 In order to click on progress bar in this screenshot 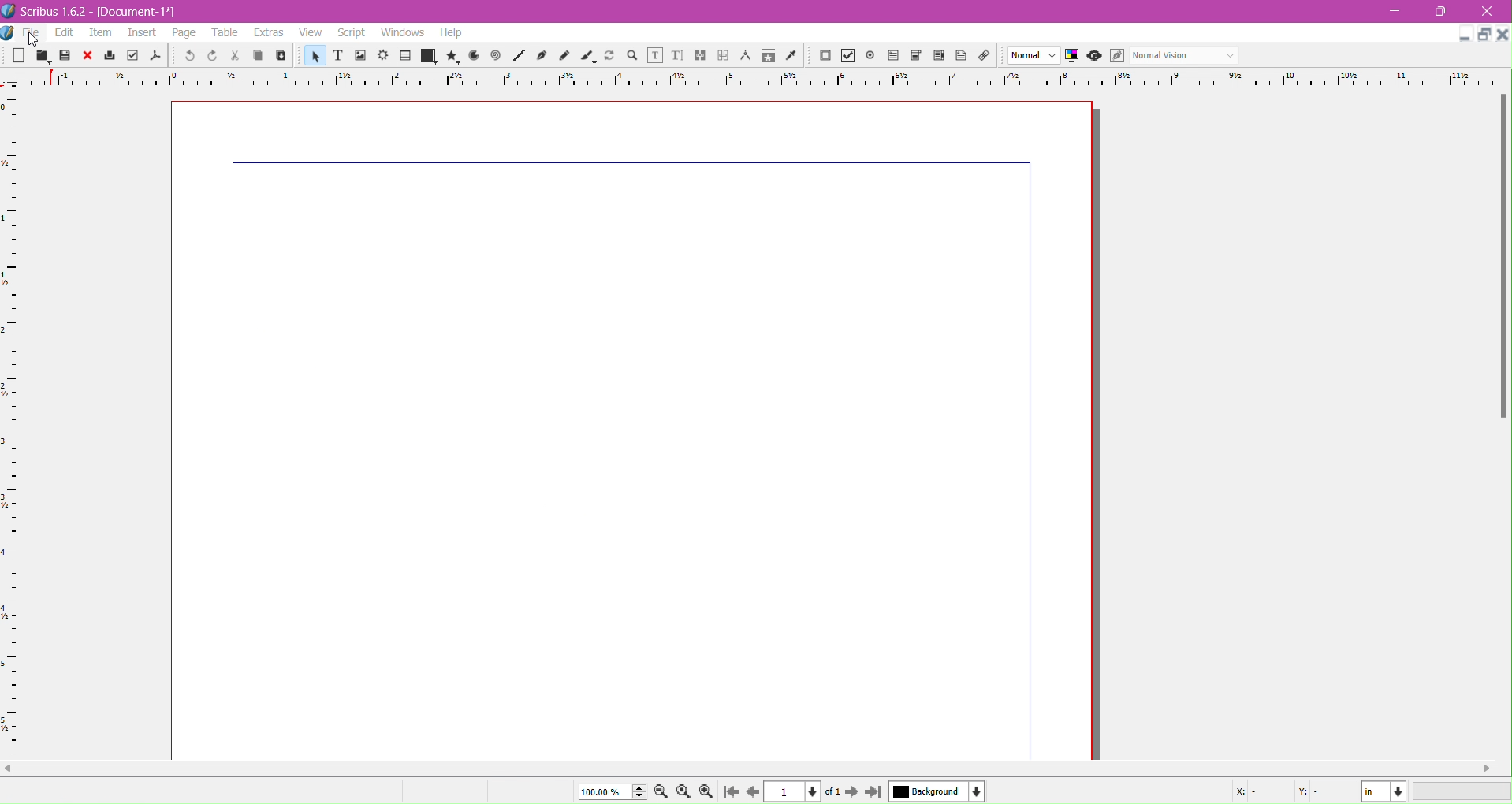, I will do `click(1463, 792)`.